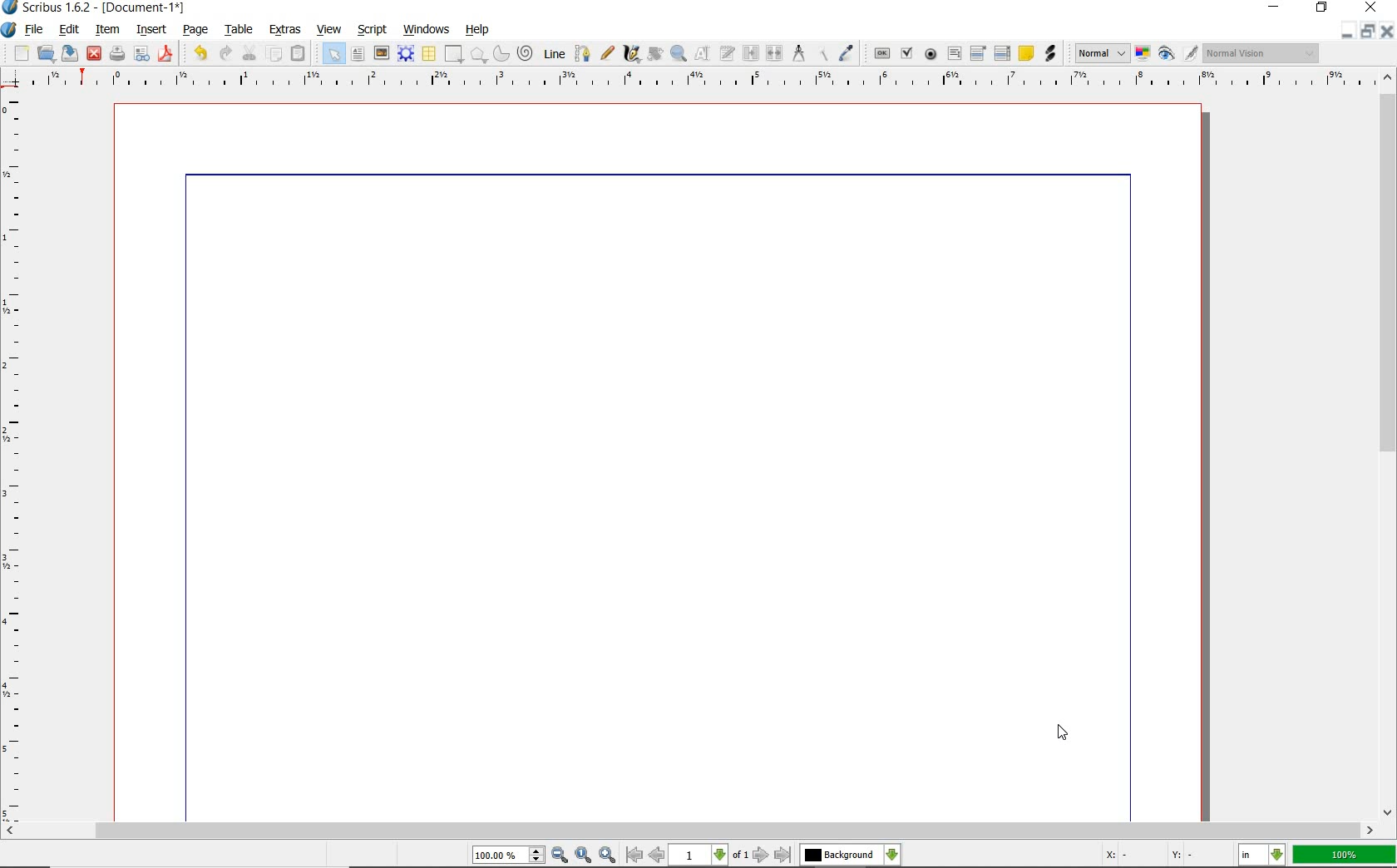 The width and height of the screenshot is (1397, 868). What do you see at coordinates (1272, 7) in the screenshot?
I see `minimize` at bounding box center [1272, 7].